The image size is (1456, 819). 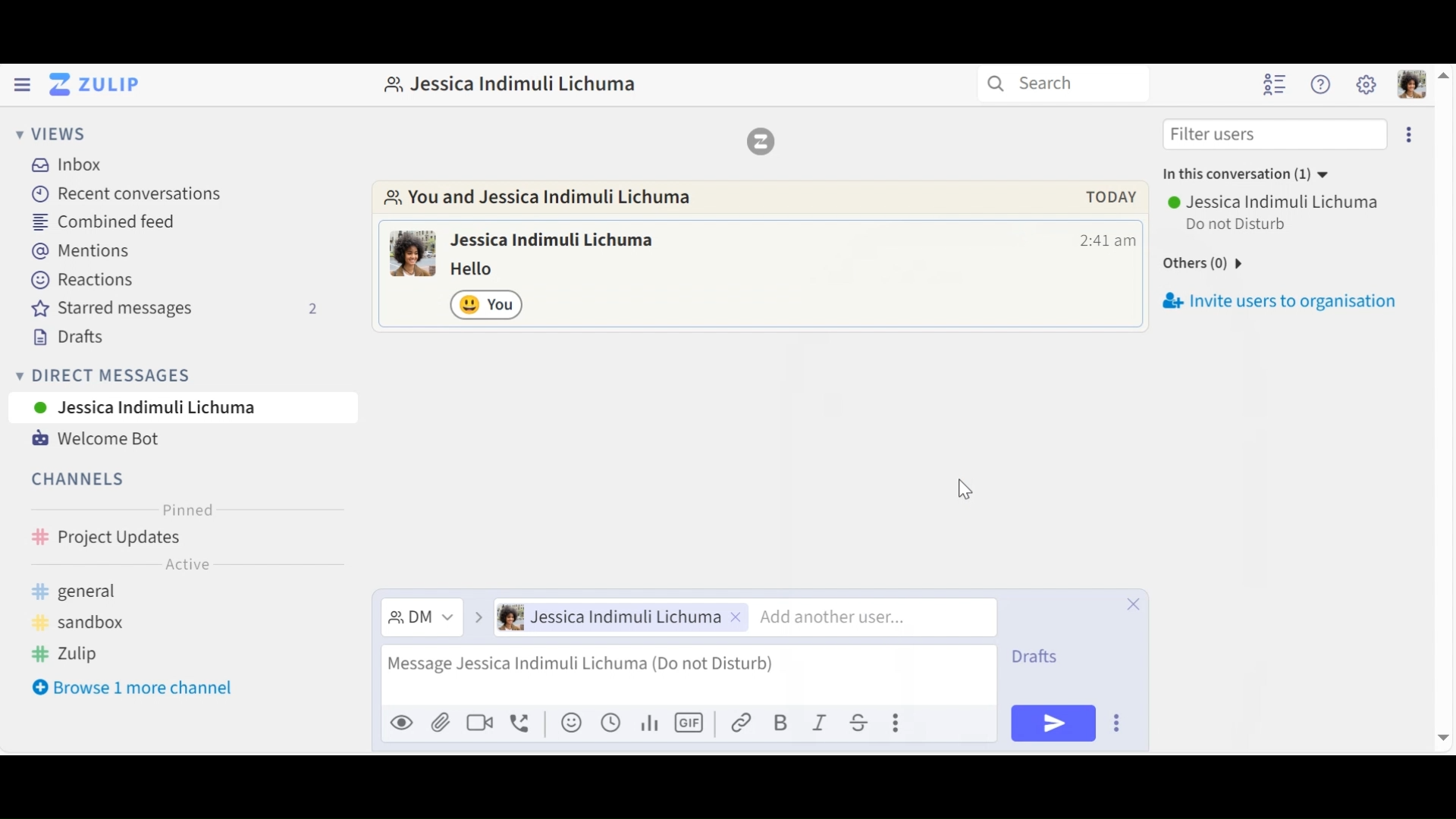 What do you see at coordinates (80, 481) in the screenshot?
I see `Channels` at bounding box center [80, 481].